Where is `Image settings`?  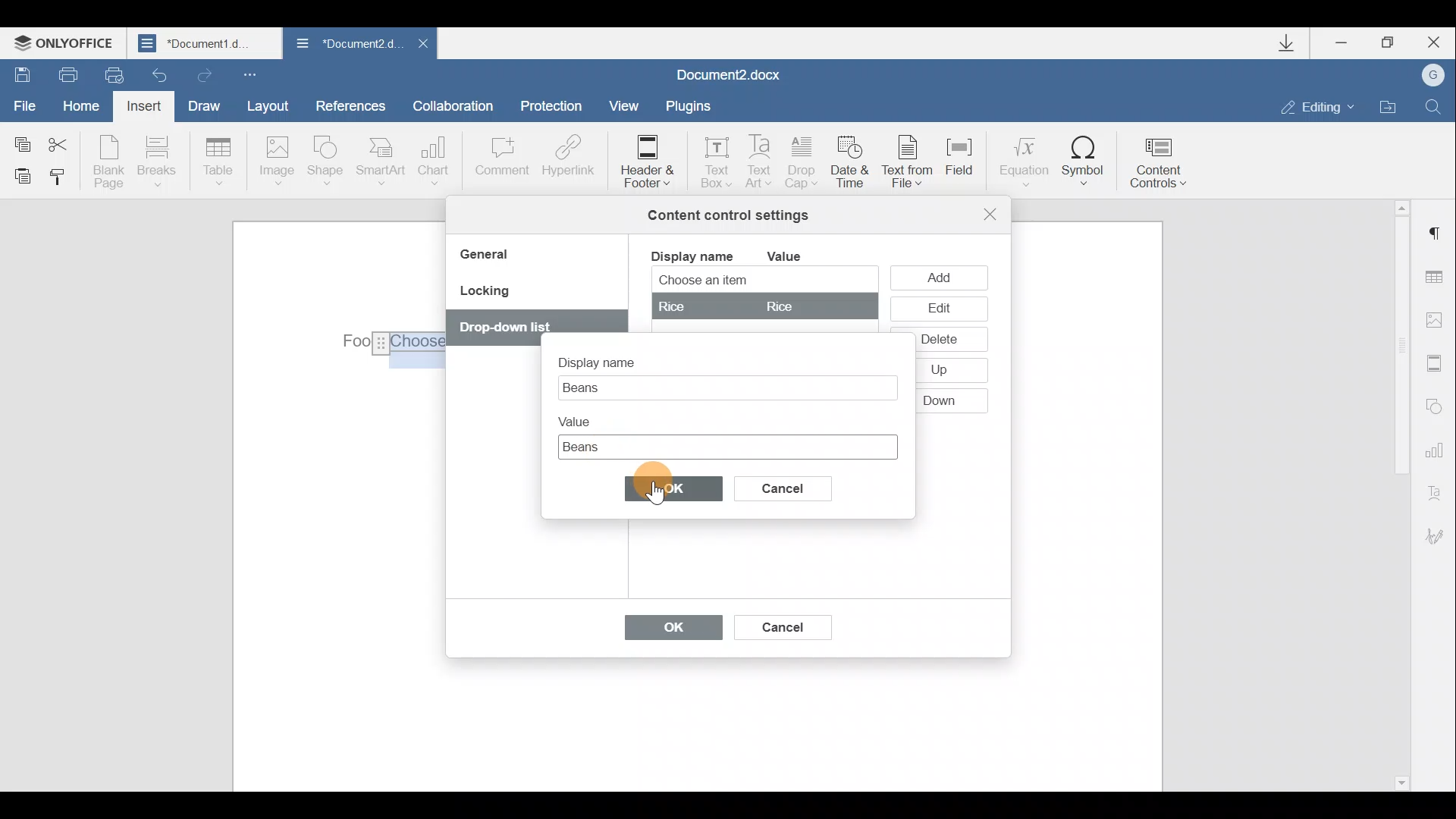
Image settings is located at coordinates (1438, 320).